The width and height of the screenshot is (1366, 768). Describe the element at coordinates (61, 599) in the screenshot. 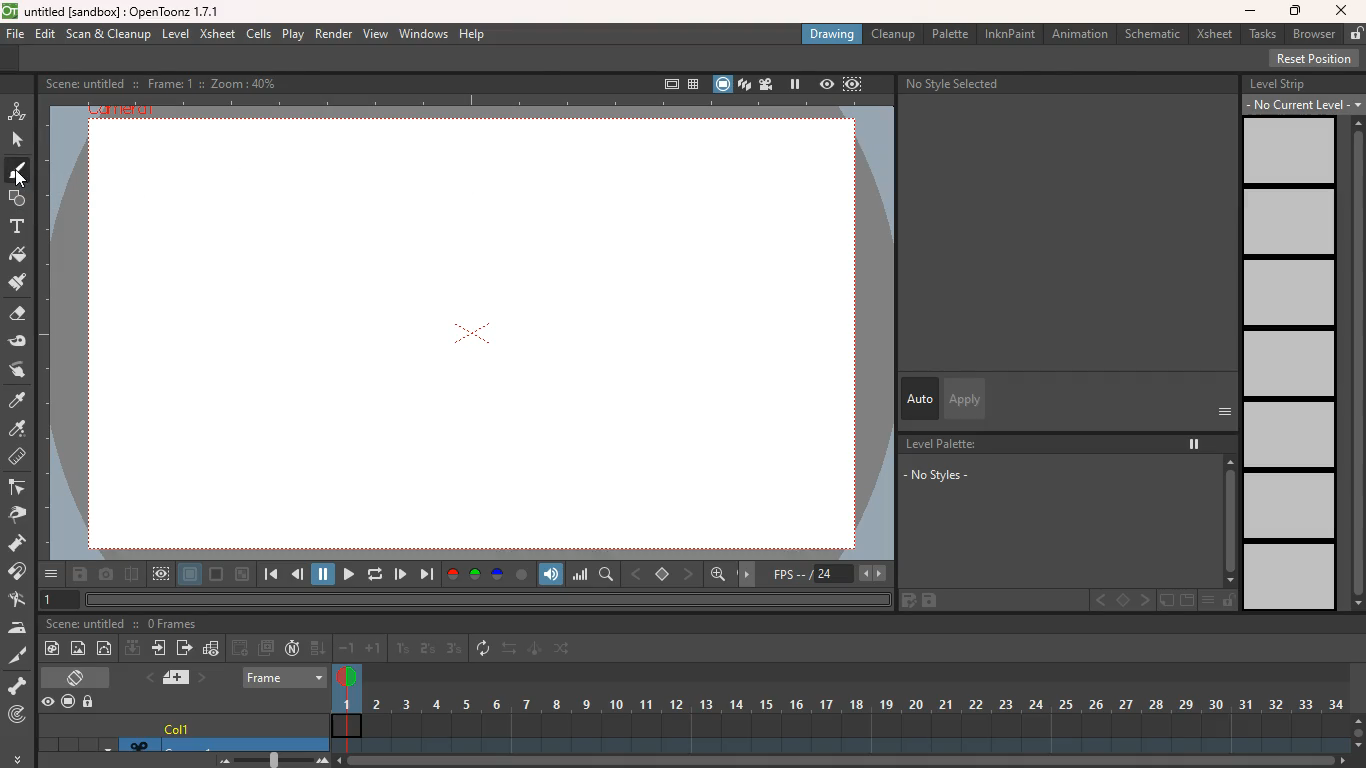

I see `1` at that location.